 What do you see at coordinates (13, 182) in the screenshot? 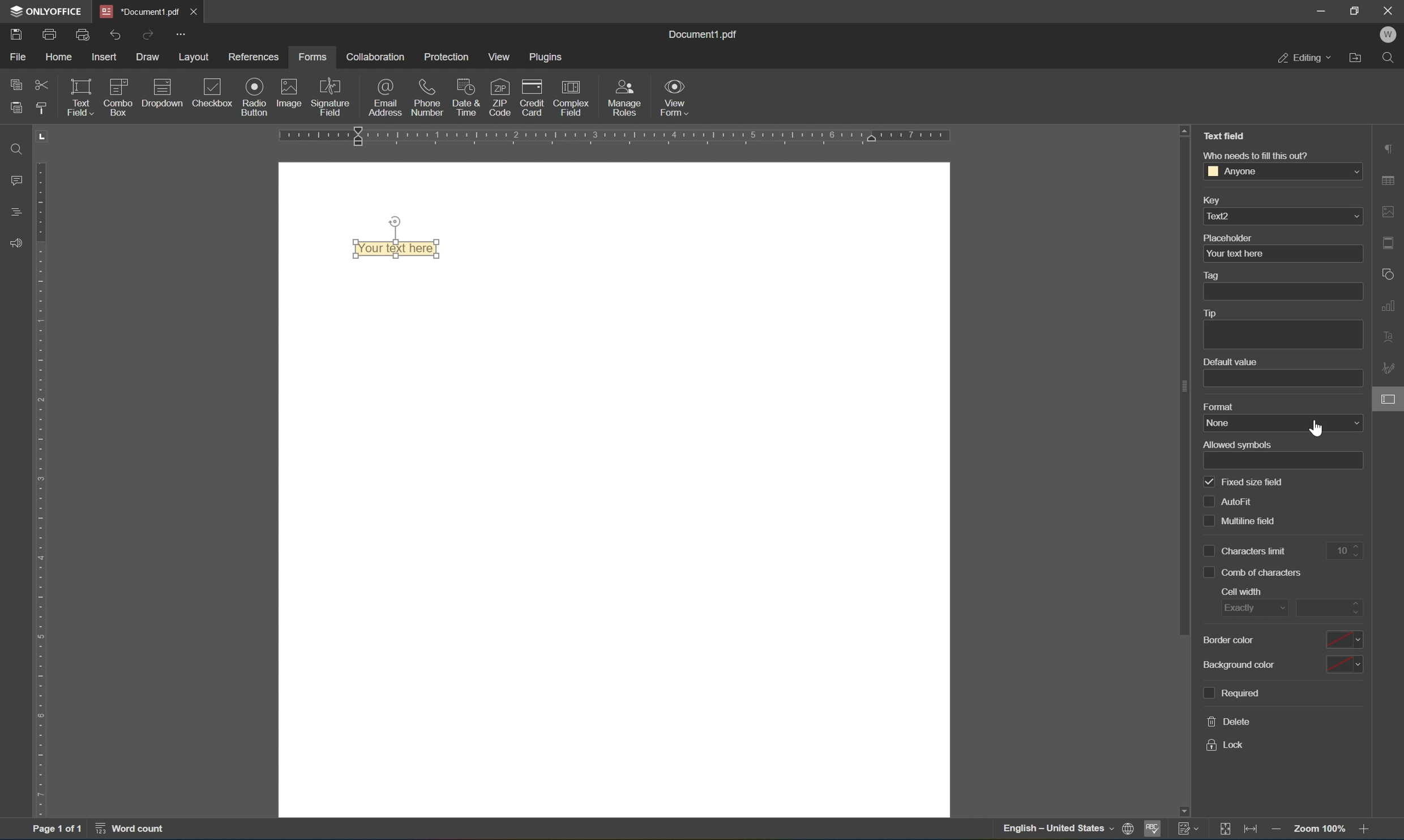
I see `comments` at bounding box center [13, 182].